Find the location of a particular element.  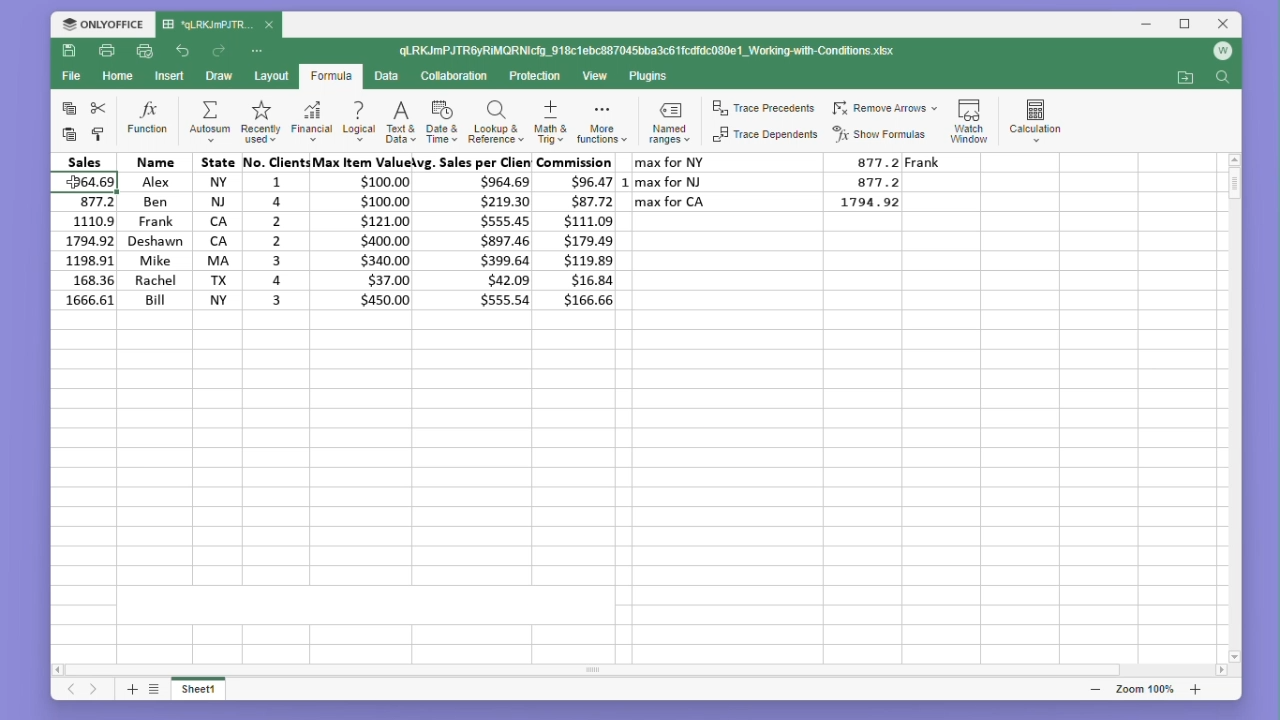

cut is located at coordinates (99, 108).